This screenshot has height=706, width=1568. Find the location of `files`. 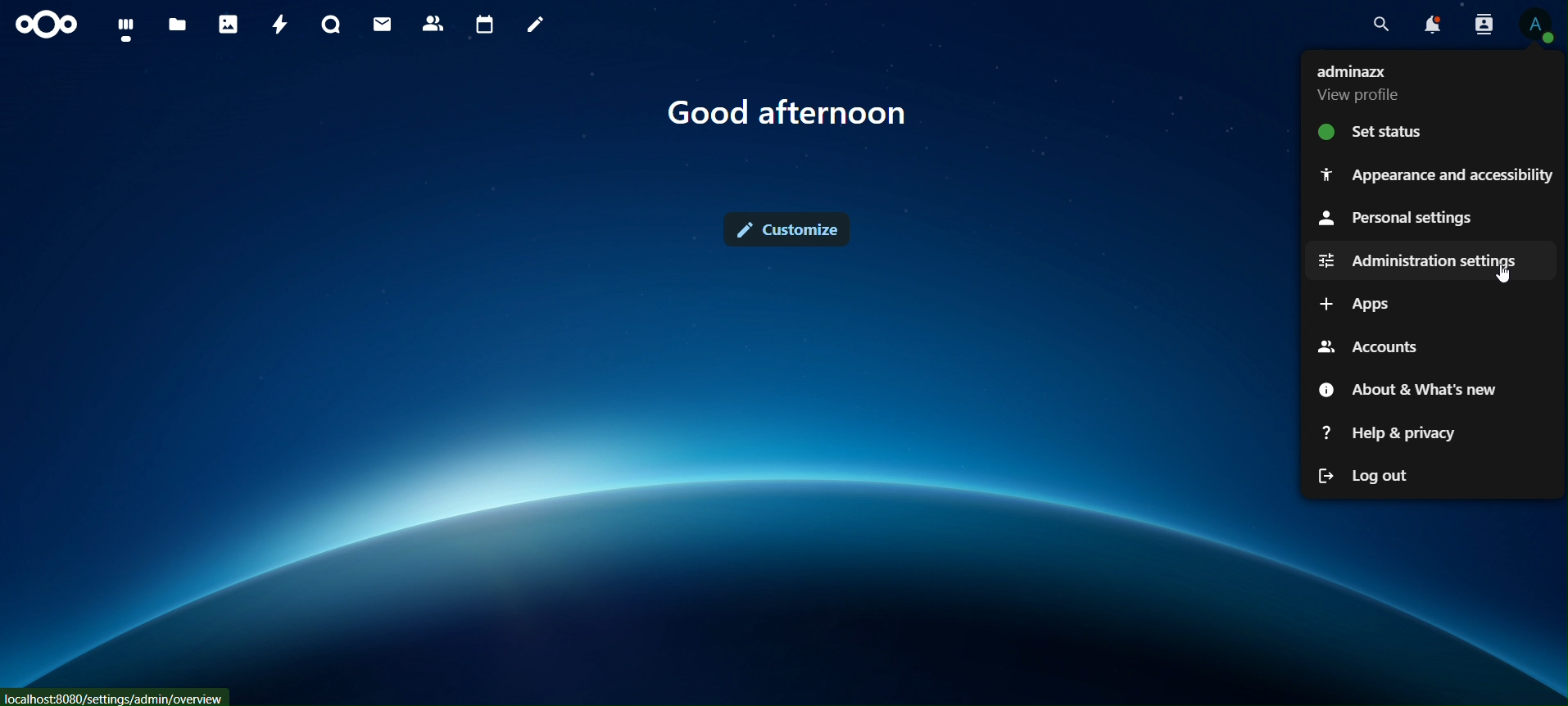

files is located at coordinates (178, 25).